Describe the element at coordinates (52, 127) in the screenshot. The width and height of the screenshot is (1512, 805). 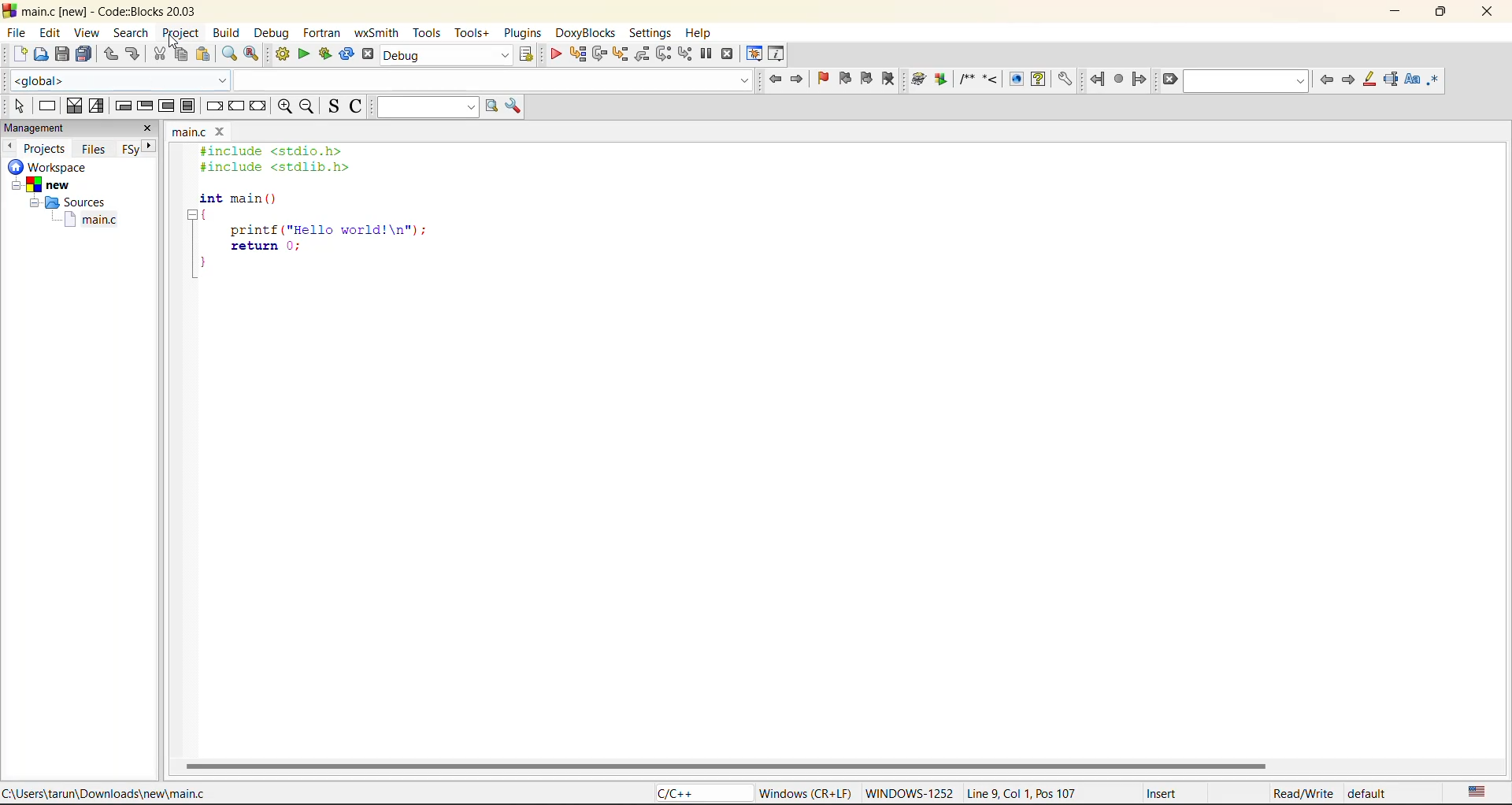
I see `management` at that location.